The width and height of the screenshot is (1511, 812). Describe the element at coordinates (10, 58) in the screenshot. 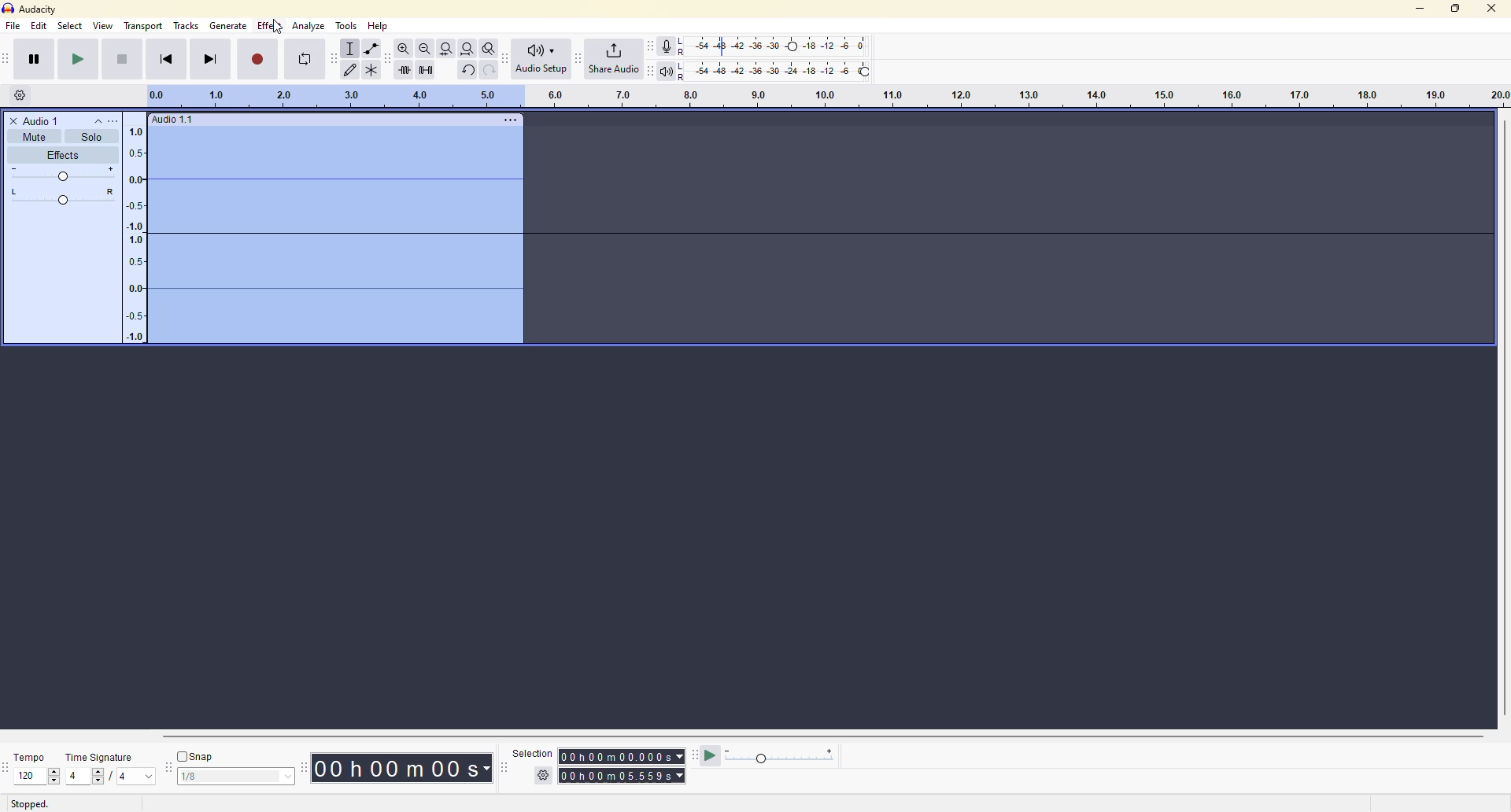

I see `transport toolbar` at that location.